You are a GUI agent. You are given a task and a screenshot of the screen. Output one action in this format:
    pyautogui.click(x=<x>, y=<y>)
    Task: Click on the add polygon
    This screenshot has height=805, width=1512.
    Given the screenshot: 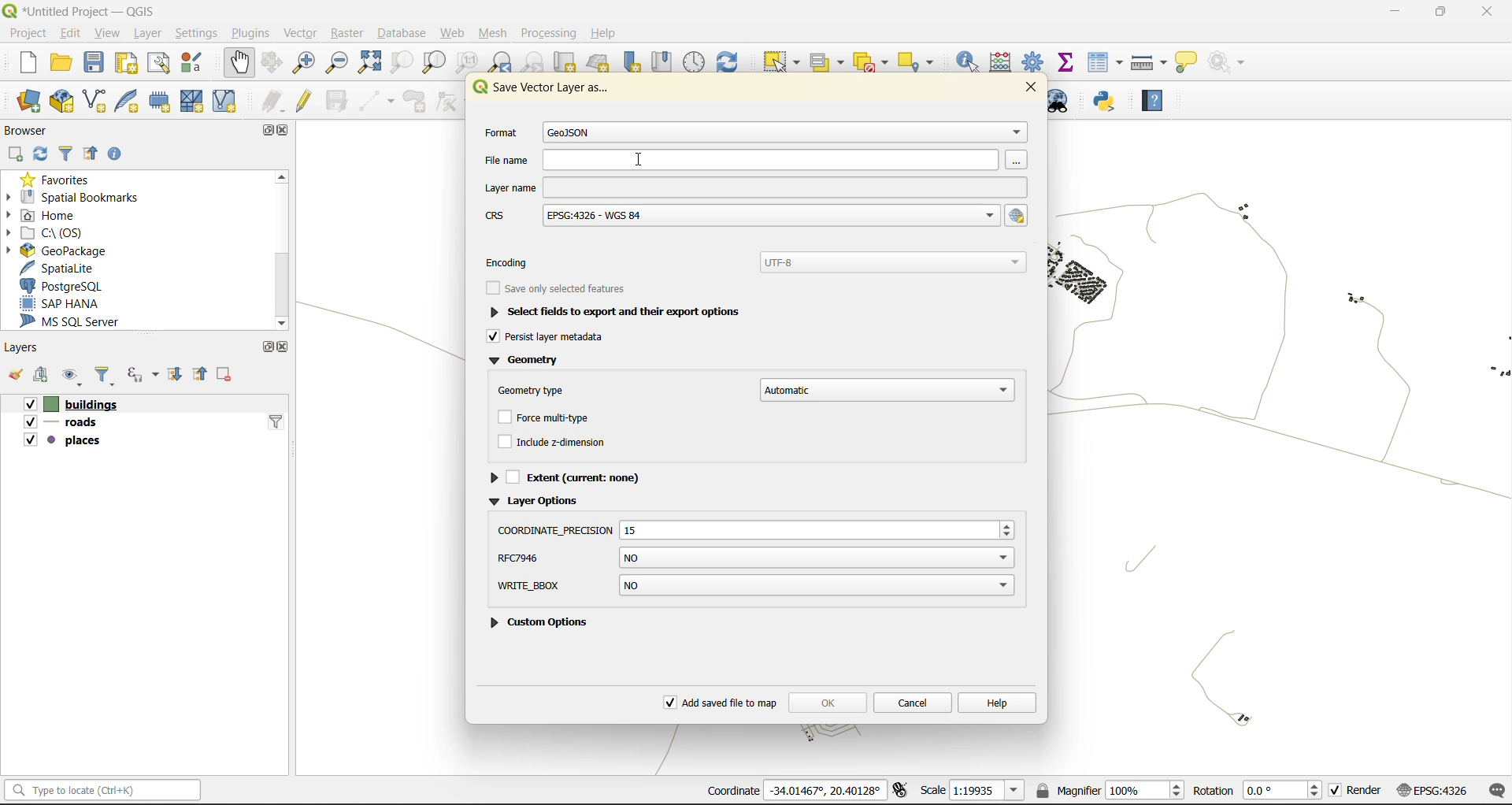 What is the action you would take?
    pyautogui.click(x=417, y=102)
    